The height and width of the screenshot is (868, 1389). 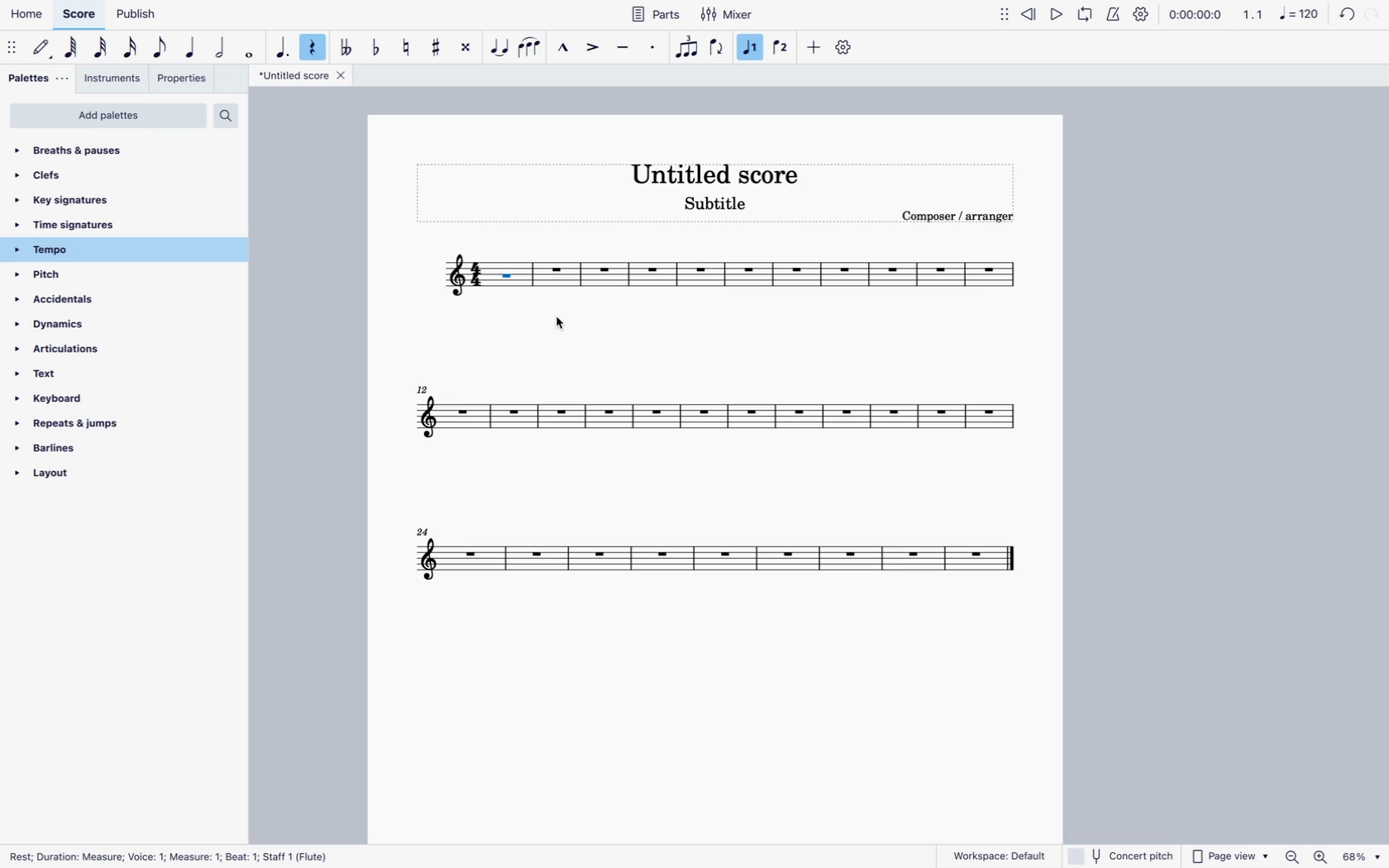 What do you see at coordinates (116, 78) in the screenshot?
I see `instruments` at bounding box center [116, 78].